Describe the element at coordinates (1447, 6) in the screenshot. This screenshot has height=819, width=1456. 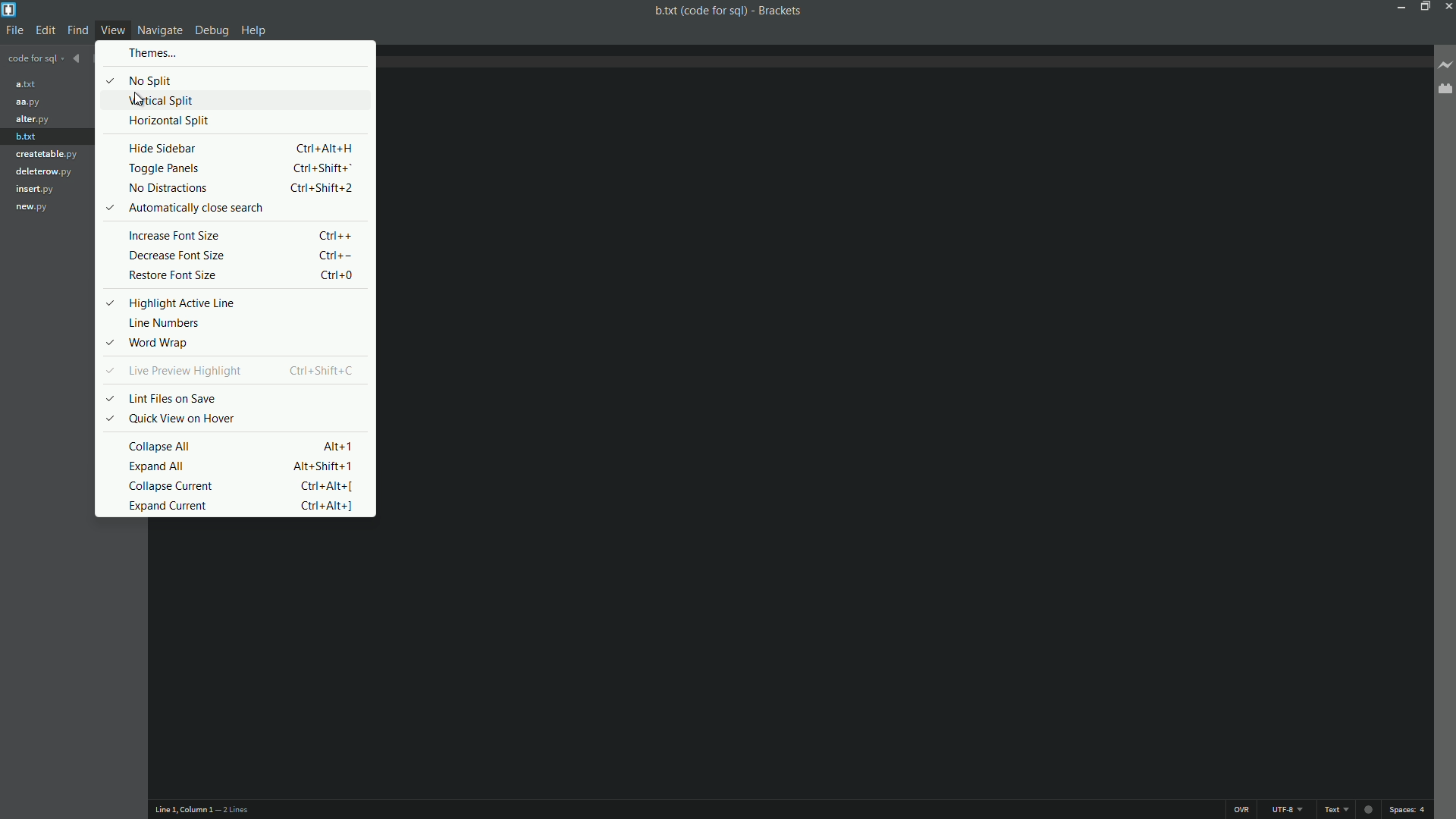
I see `Close app` at that location.